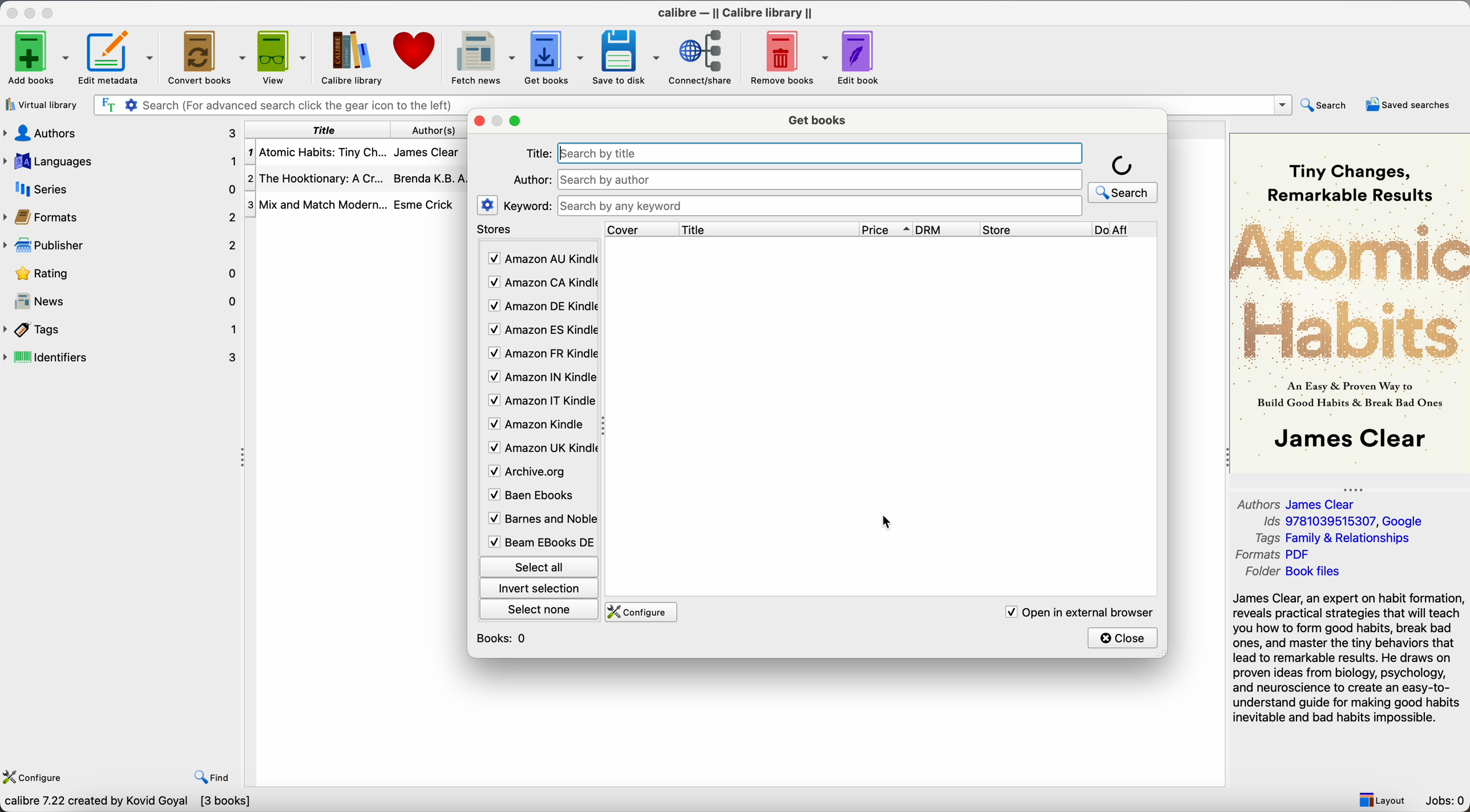  What do you see at coordinates (504, 638) in the screenshot?
I see `books: 0` at bounding box center [504, 638].